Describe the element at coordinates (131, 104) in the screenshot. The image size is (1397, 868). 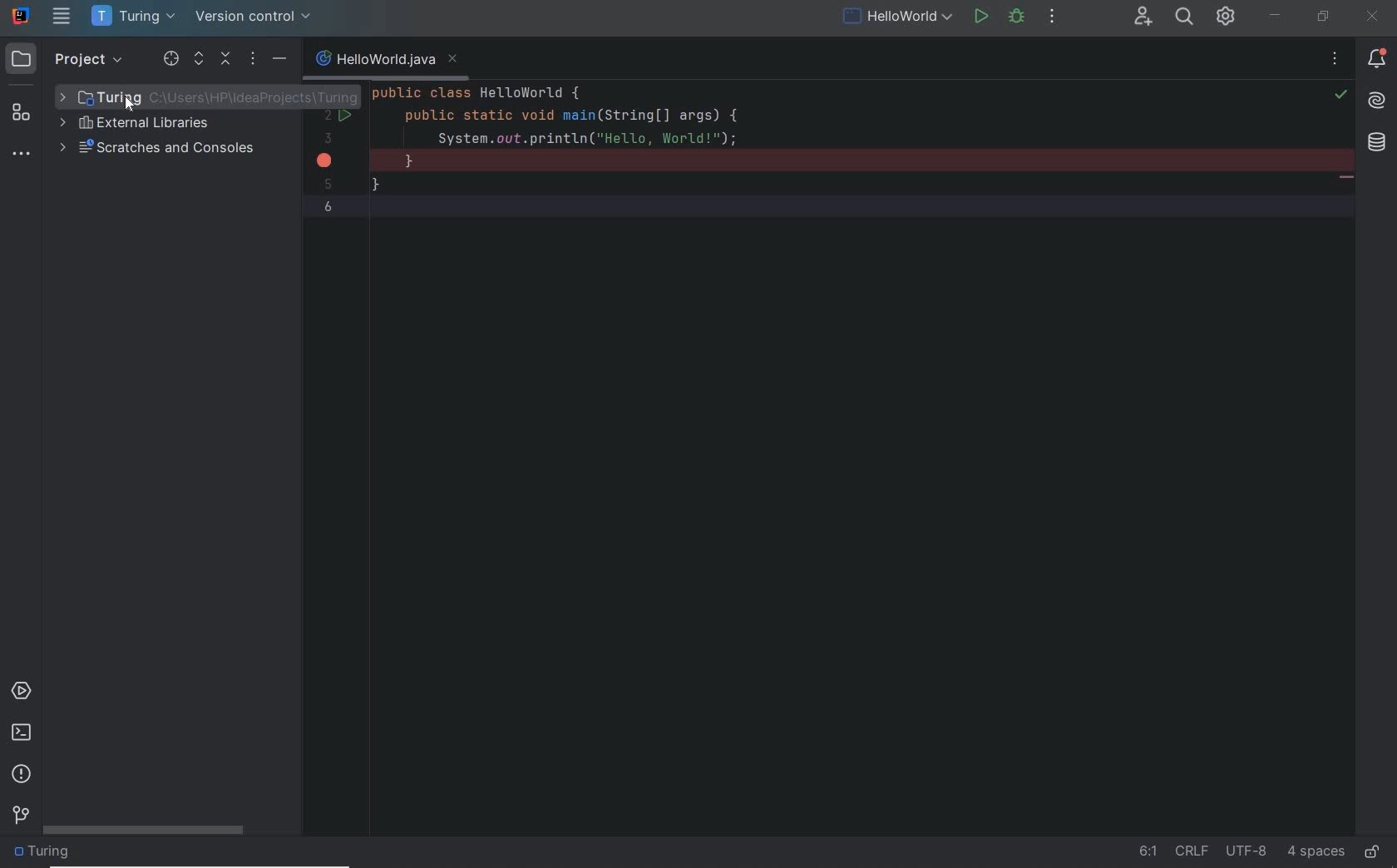
I see `cursor` at that location.